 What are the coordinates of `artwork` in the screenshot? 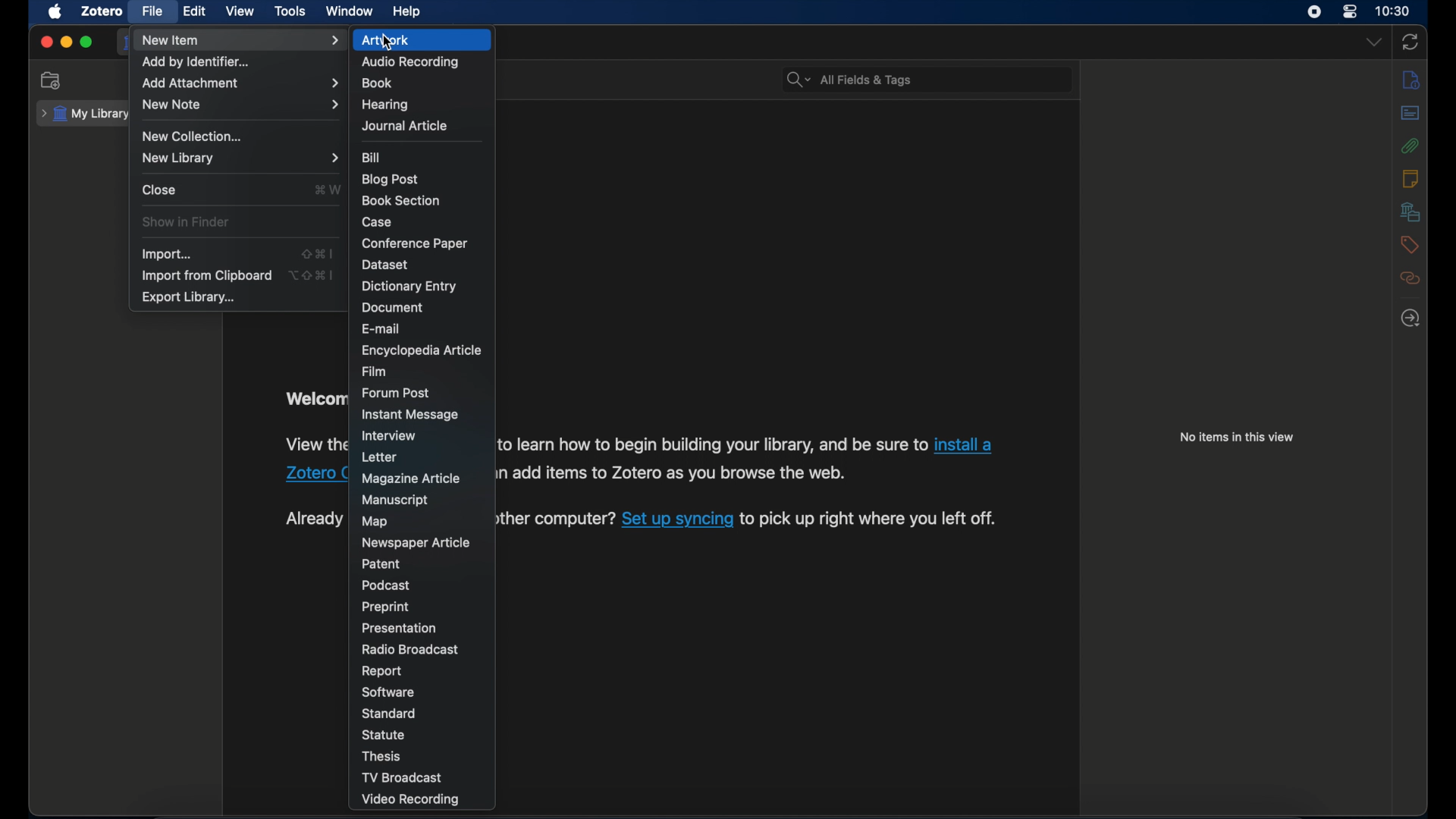 It's located at (385, 40).